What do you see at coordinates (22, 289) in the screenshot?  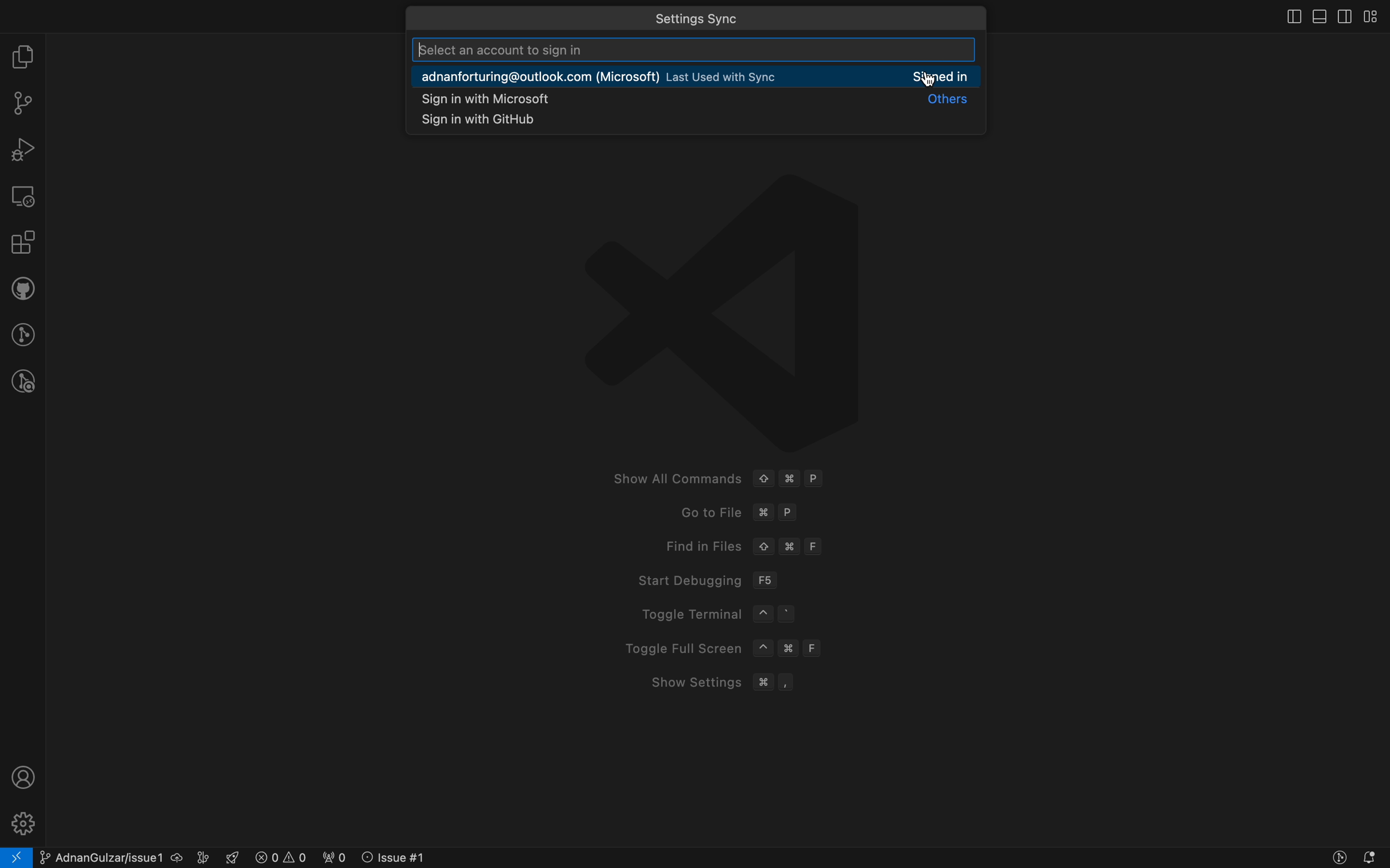 I see `github pull request and issues` at bounding box center [22, 289].